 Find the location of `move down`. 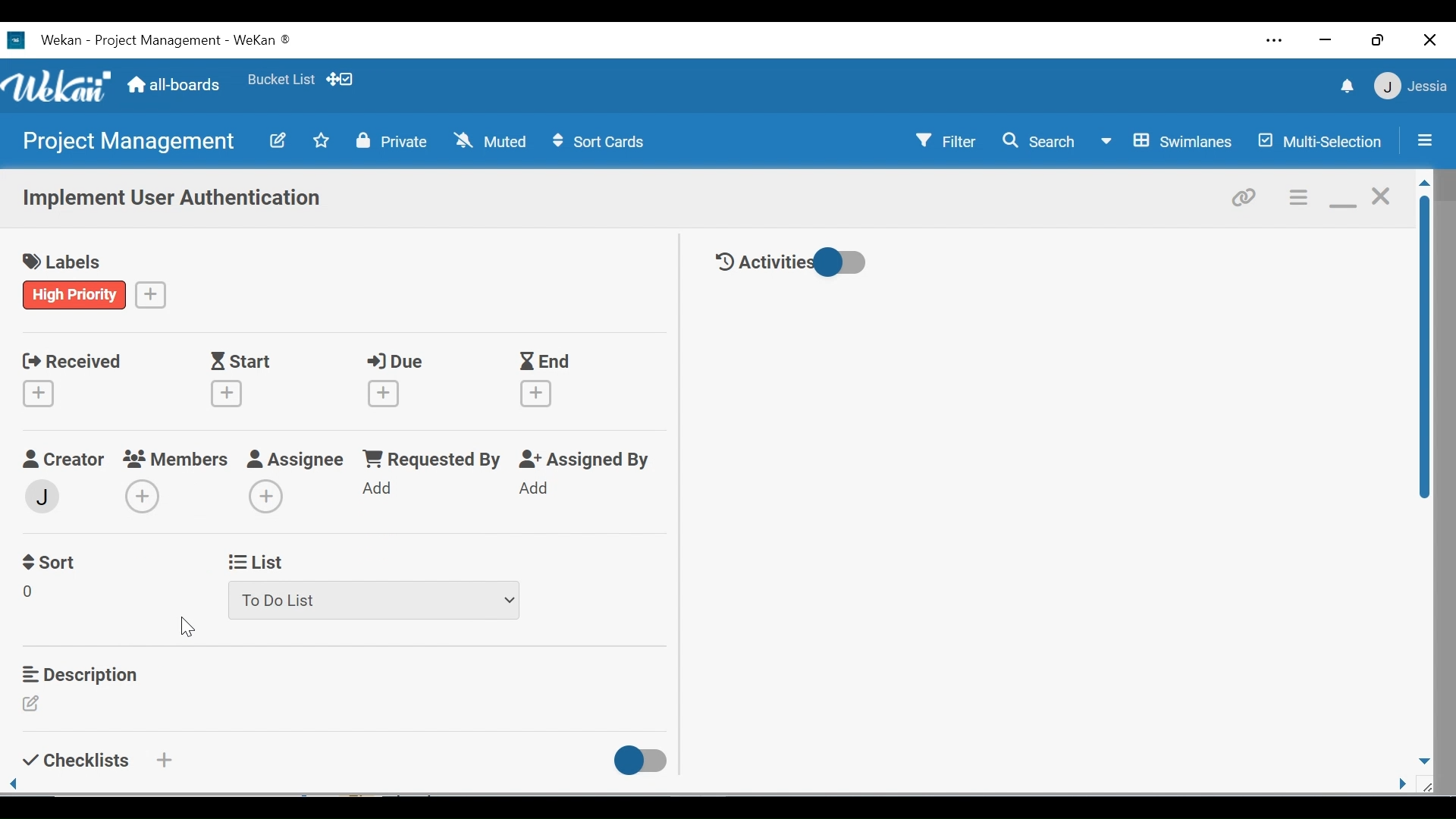

move down is located at coordinates (1423, 761).